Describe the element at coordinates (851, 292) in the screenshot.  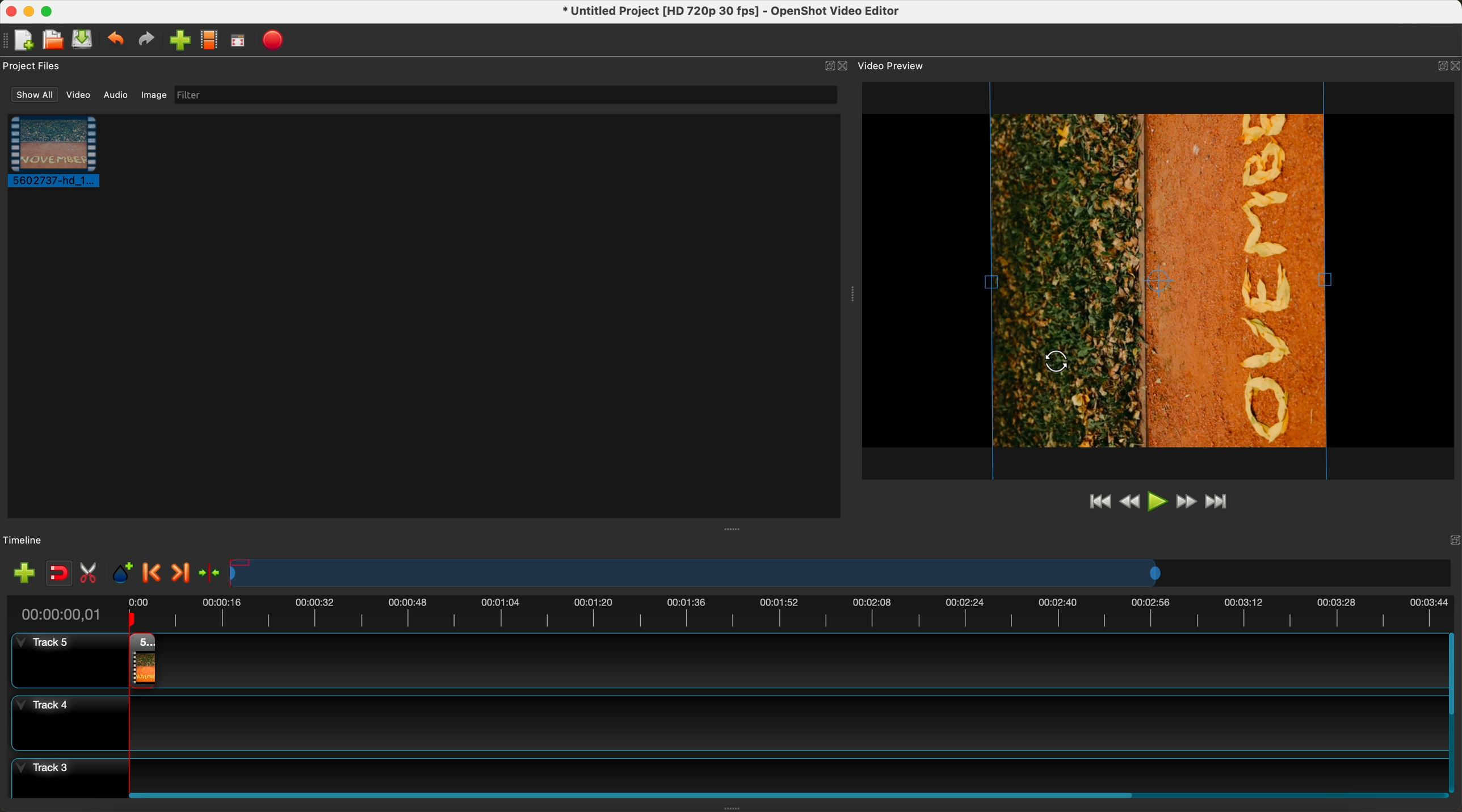
I see `` at that location.